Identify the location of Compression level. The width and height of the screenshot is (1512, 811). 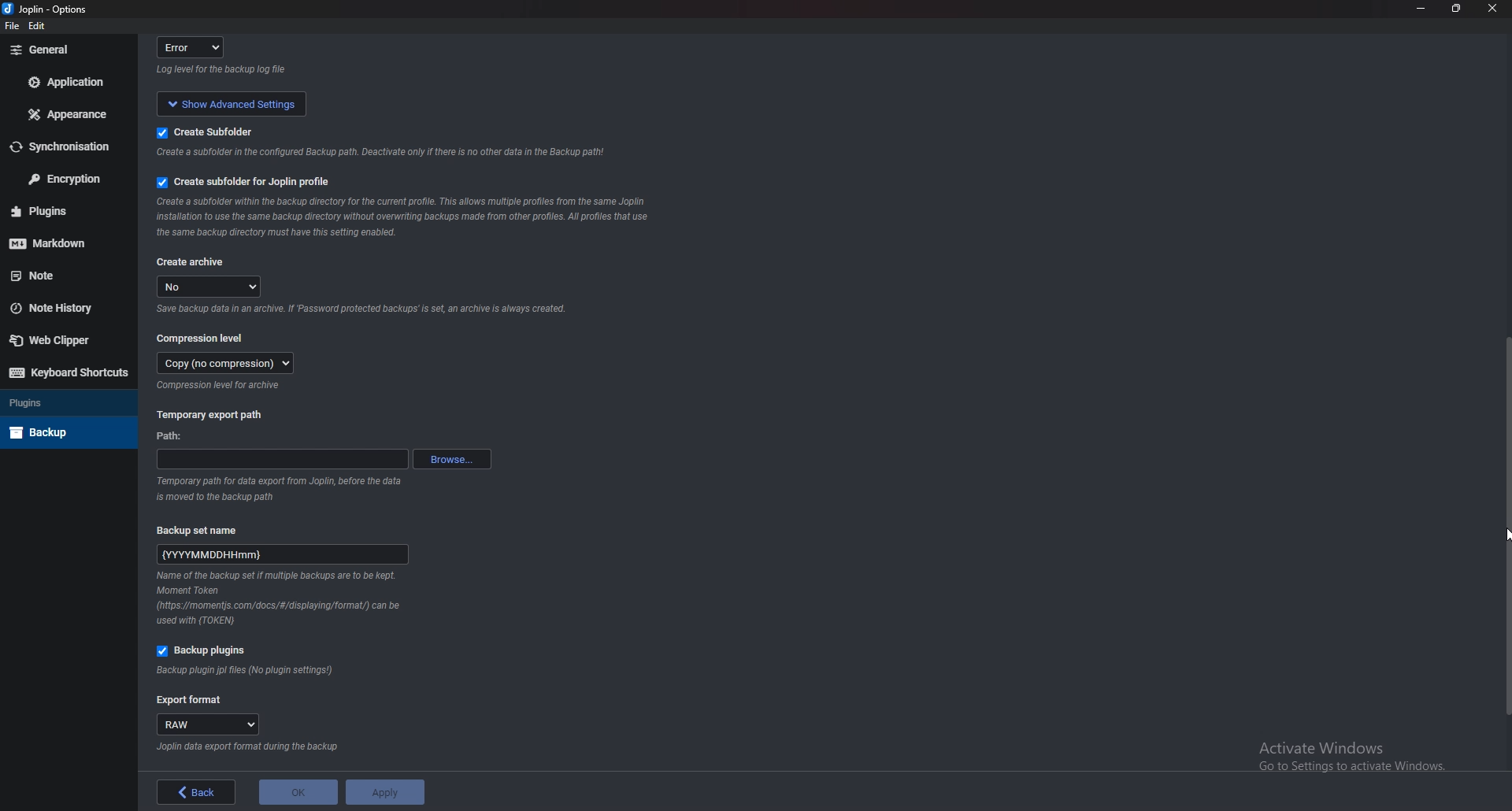
(203, 337).